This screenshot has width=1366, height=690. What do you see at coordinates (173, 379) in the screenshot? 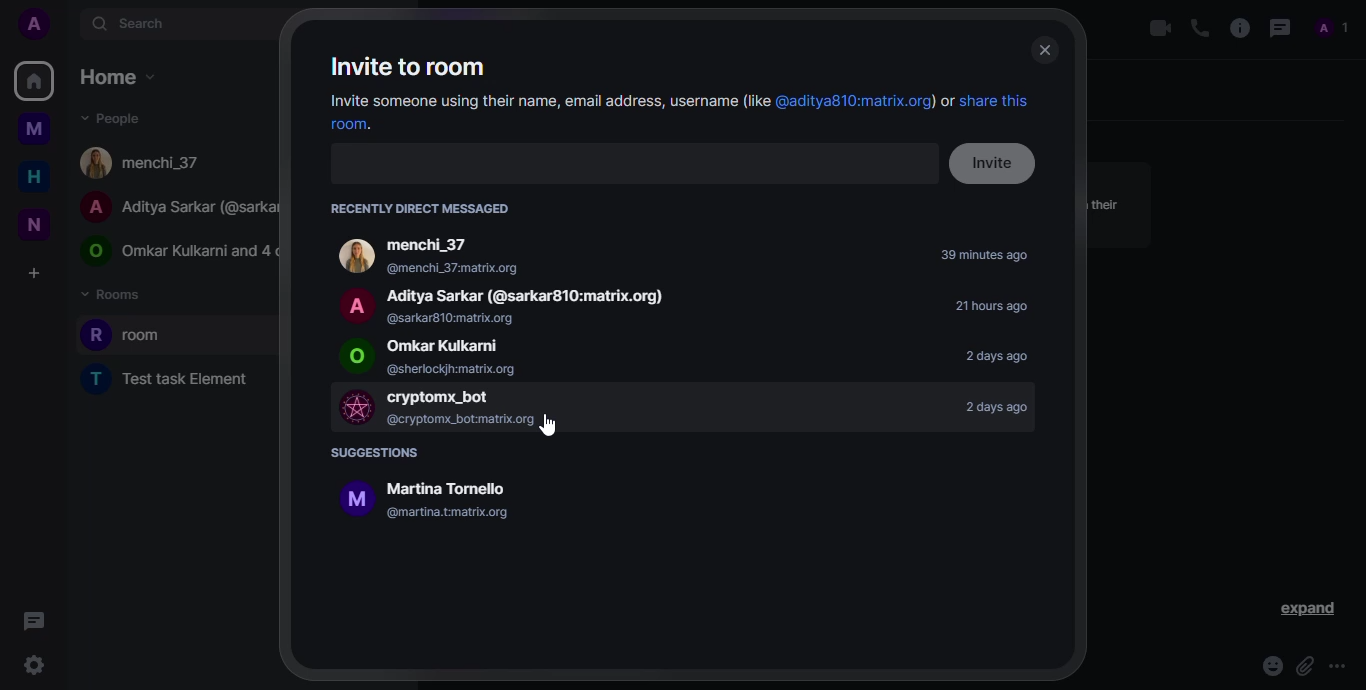
I see `new task element` at bounding box center [173, 379].